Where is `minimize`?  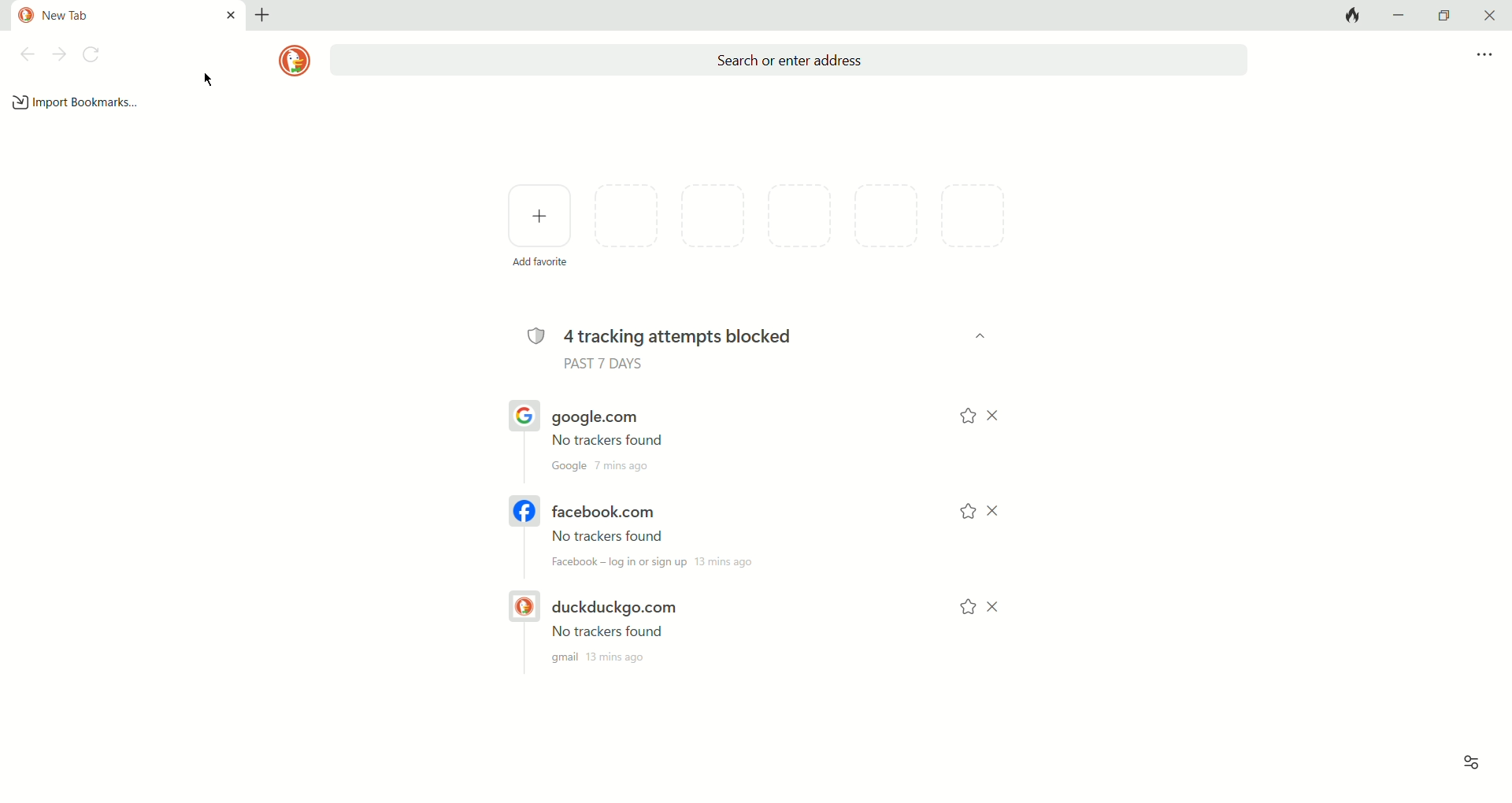 minimize is located at coordinates (1399, 15).